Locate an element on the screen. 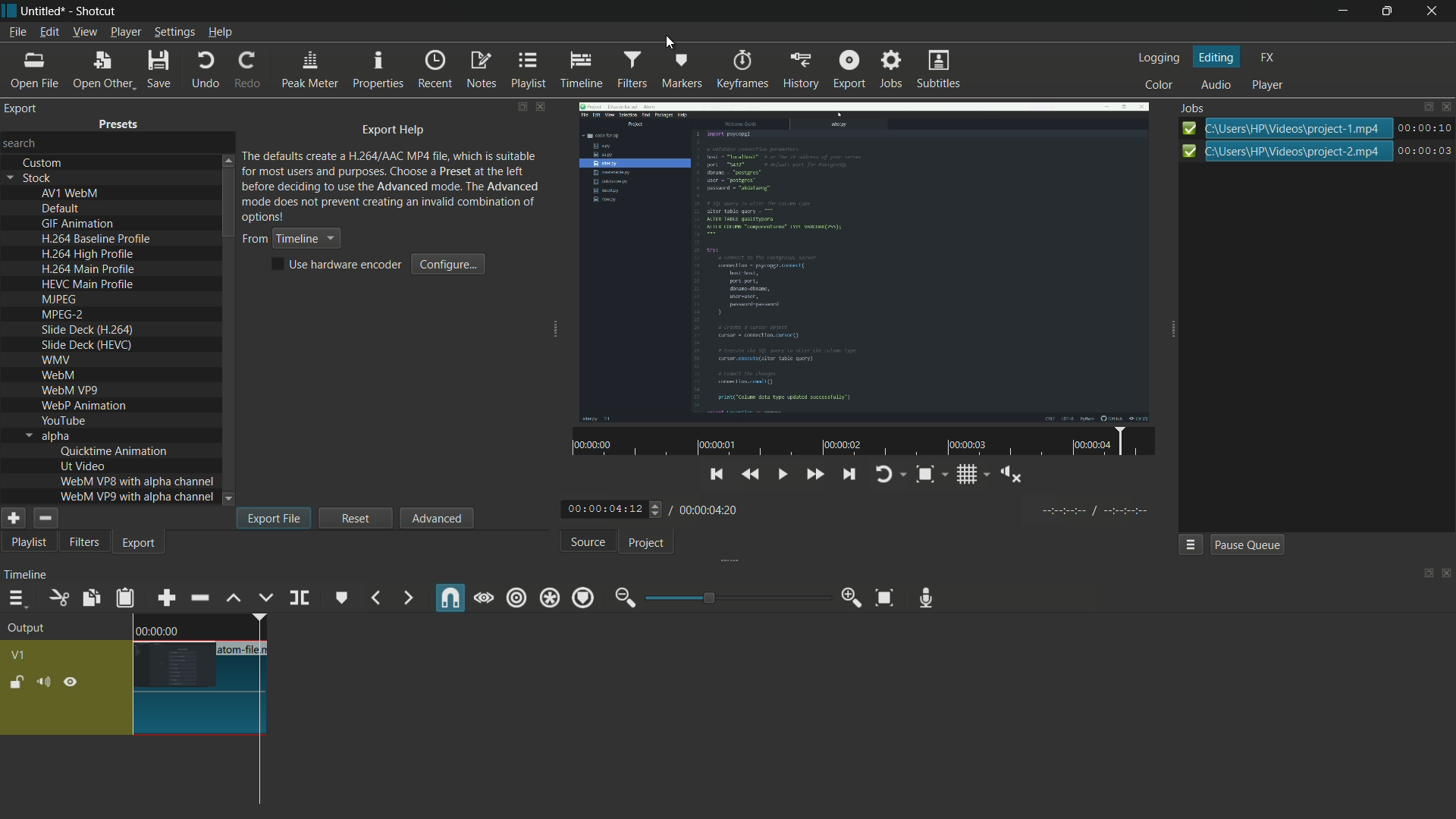 The image size is (1456, 819). open other is located at coordinates (103, 69).